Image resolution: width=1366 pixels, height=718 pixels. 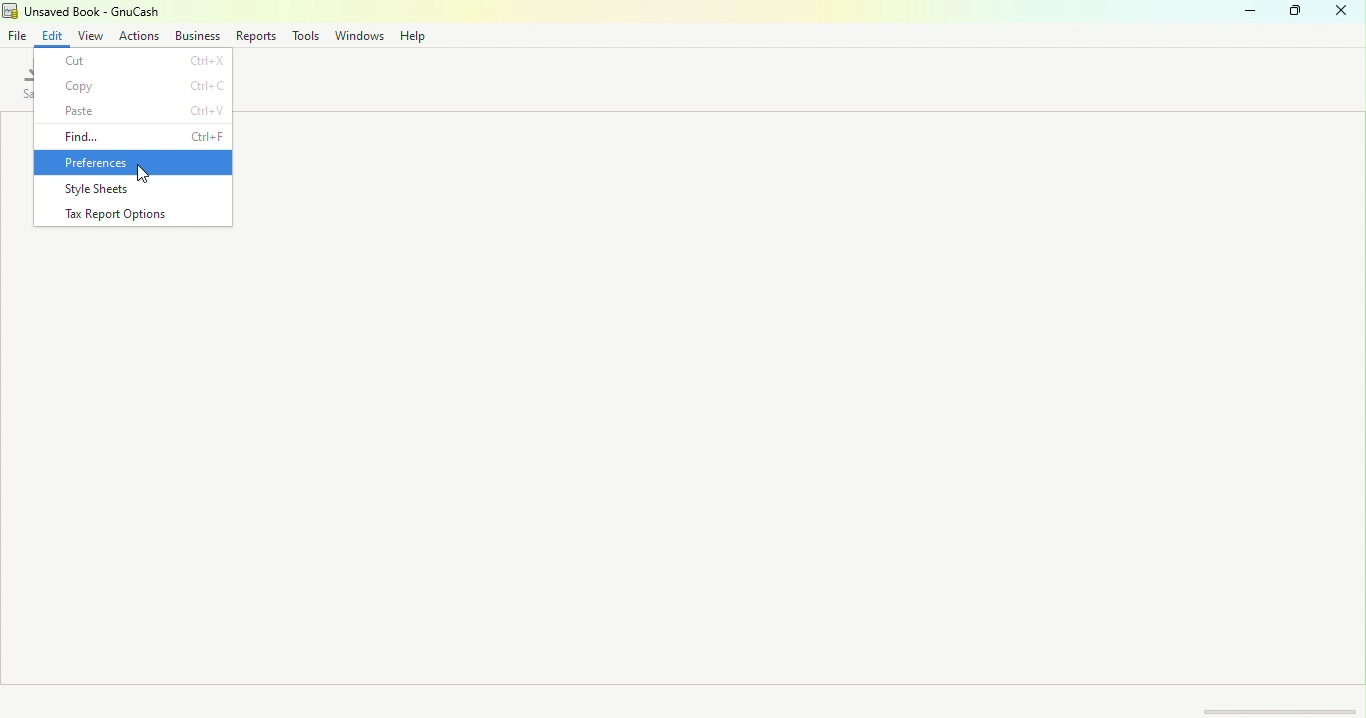 What do you see at coordinates (254, 35) in the screenshot?
I see `Reports` at bounding box center [254, 35].